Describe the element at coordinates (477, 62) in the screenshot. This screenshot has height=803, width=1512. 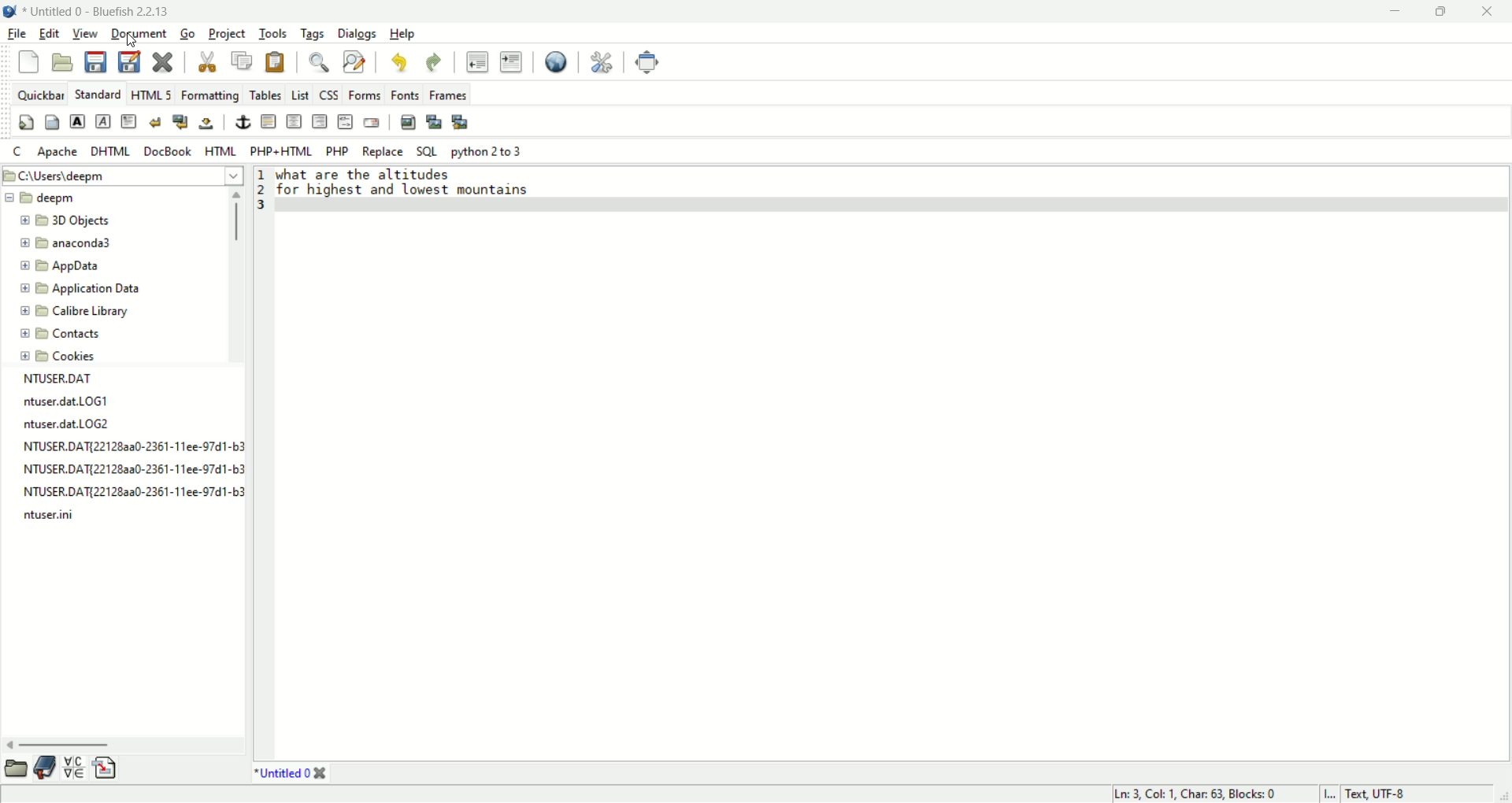
I see `unindent` at that location.